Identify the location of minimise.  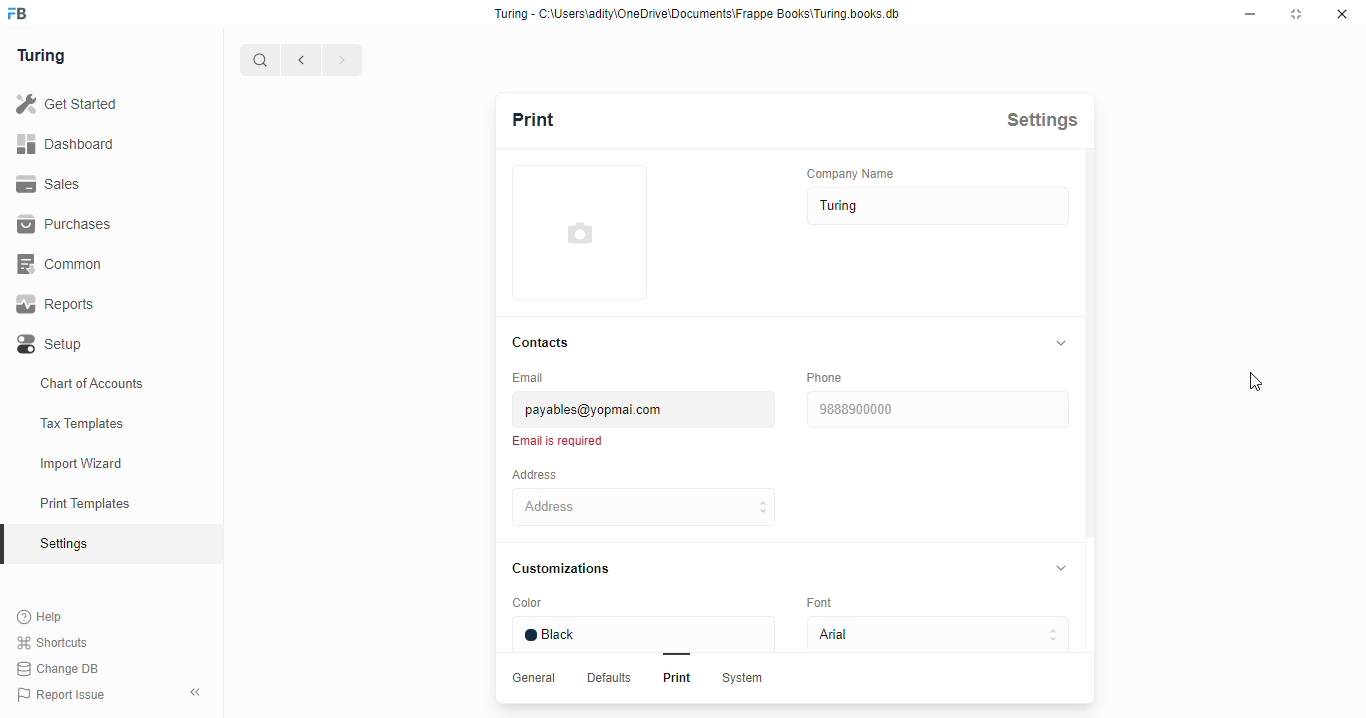
(1253, 14).